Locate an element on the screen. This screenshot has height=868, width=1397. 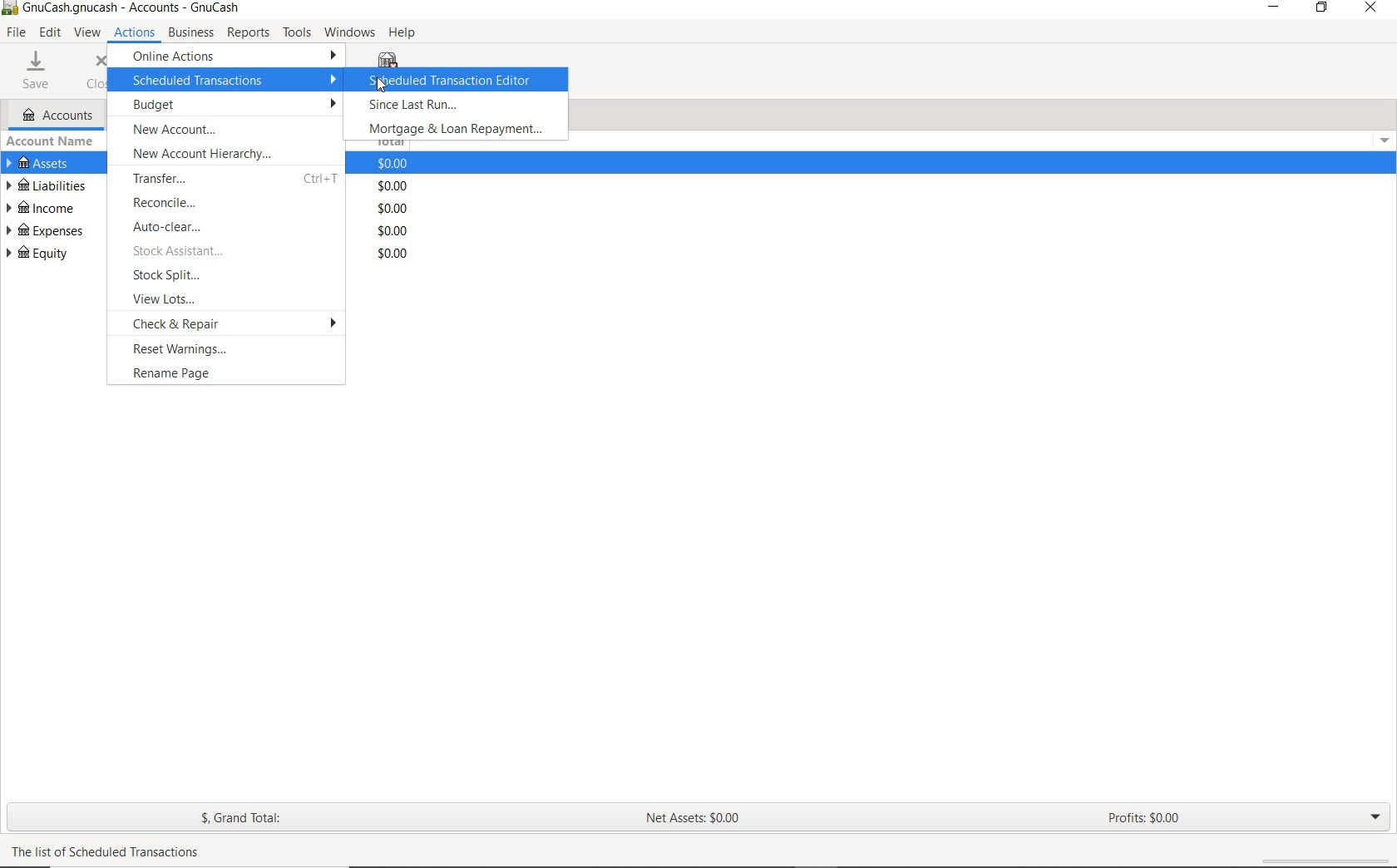
total is located at coordinates (395, 185).